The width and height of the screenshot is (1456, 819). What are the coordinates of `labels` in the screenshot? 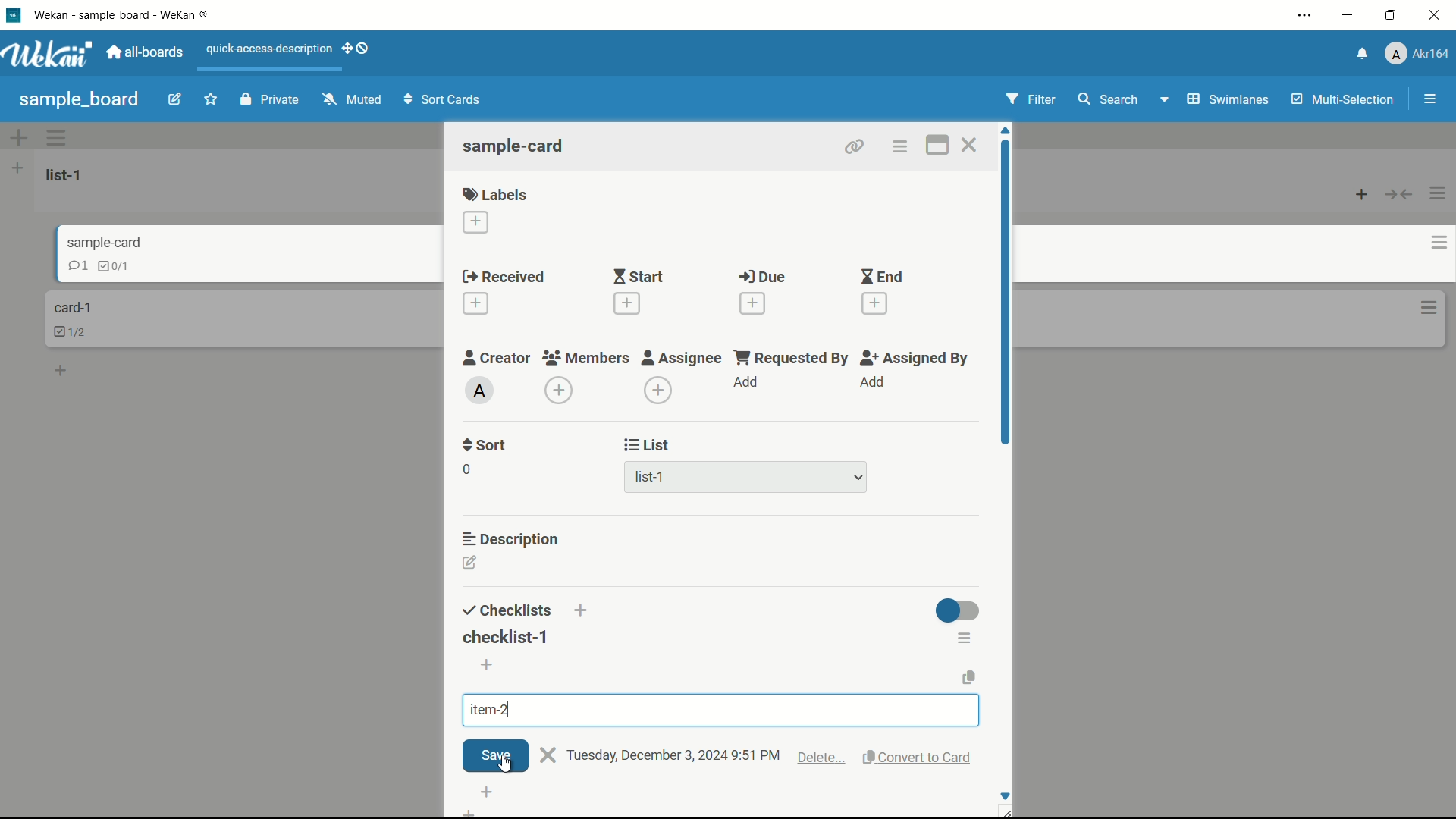 It's located at (495, 193).